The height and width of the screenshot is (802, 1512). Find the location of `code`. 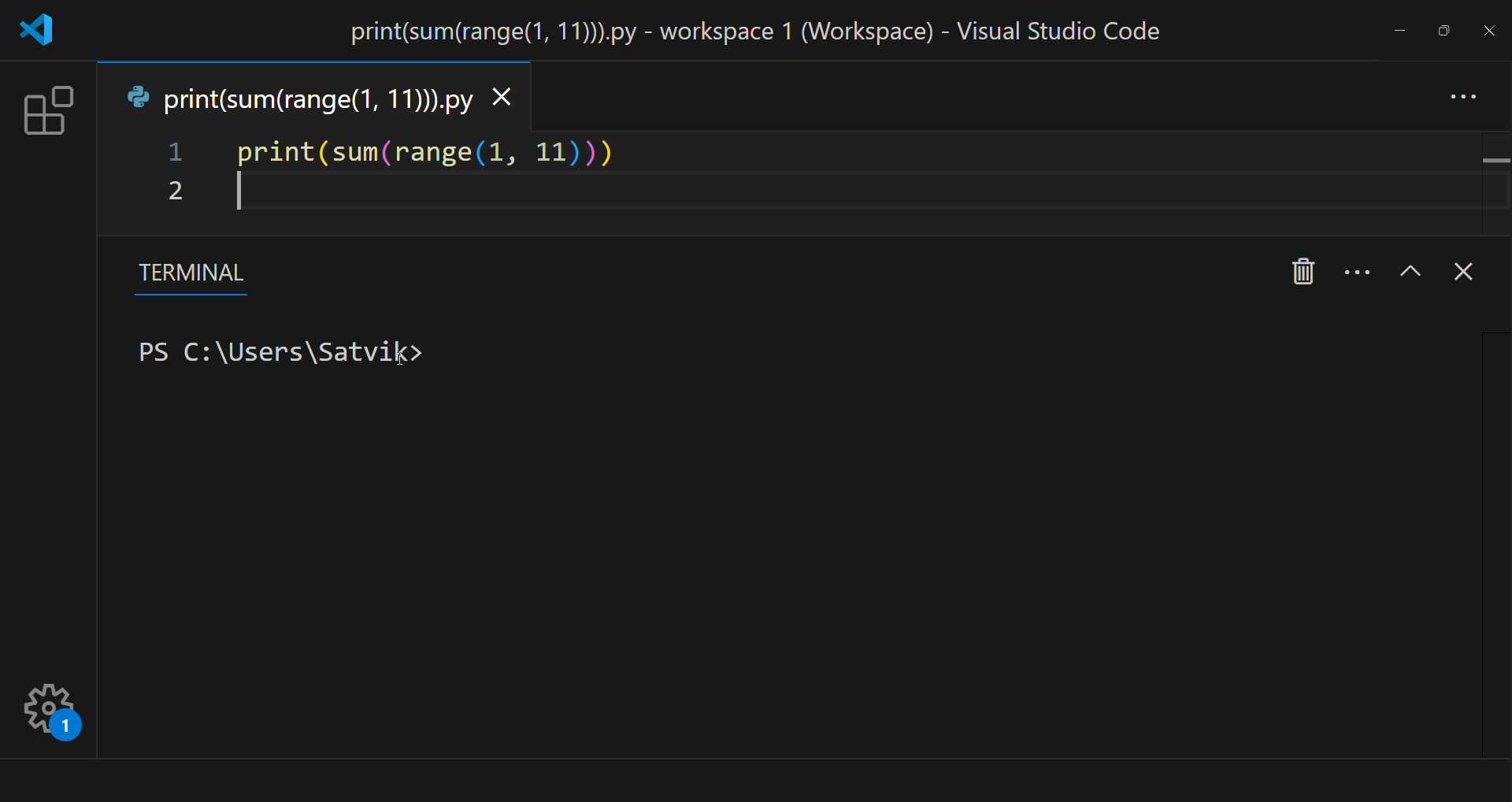

code is located at coordinates (431, 152).